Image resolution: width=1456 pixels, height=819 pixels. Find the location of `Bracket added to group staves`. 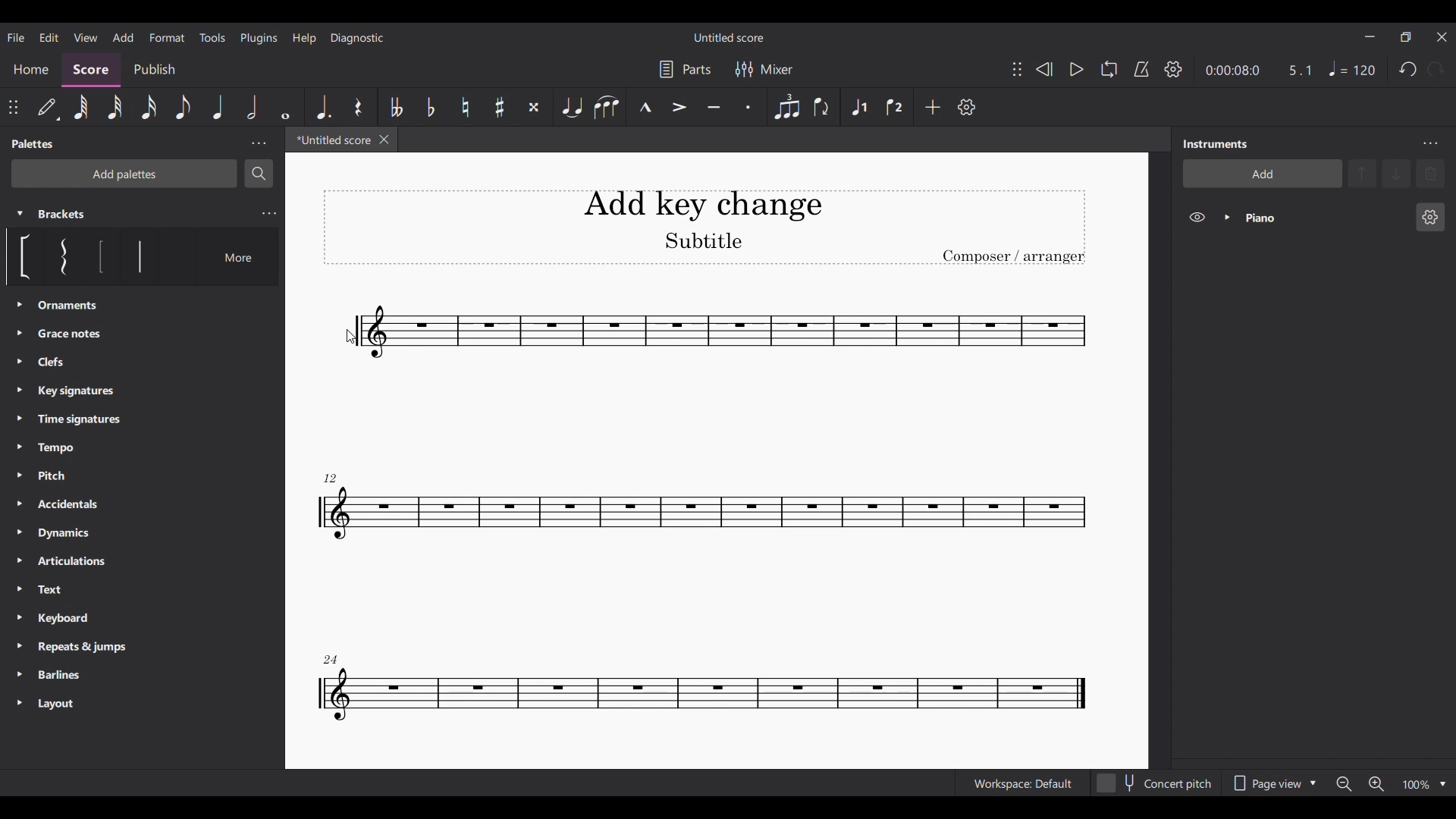

Bracket added to group staves is located at coordinates (706, 514).